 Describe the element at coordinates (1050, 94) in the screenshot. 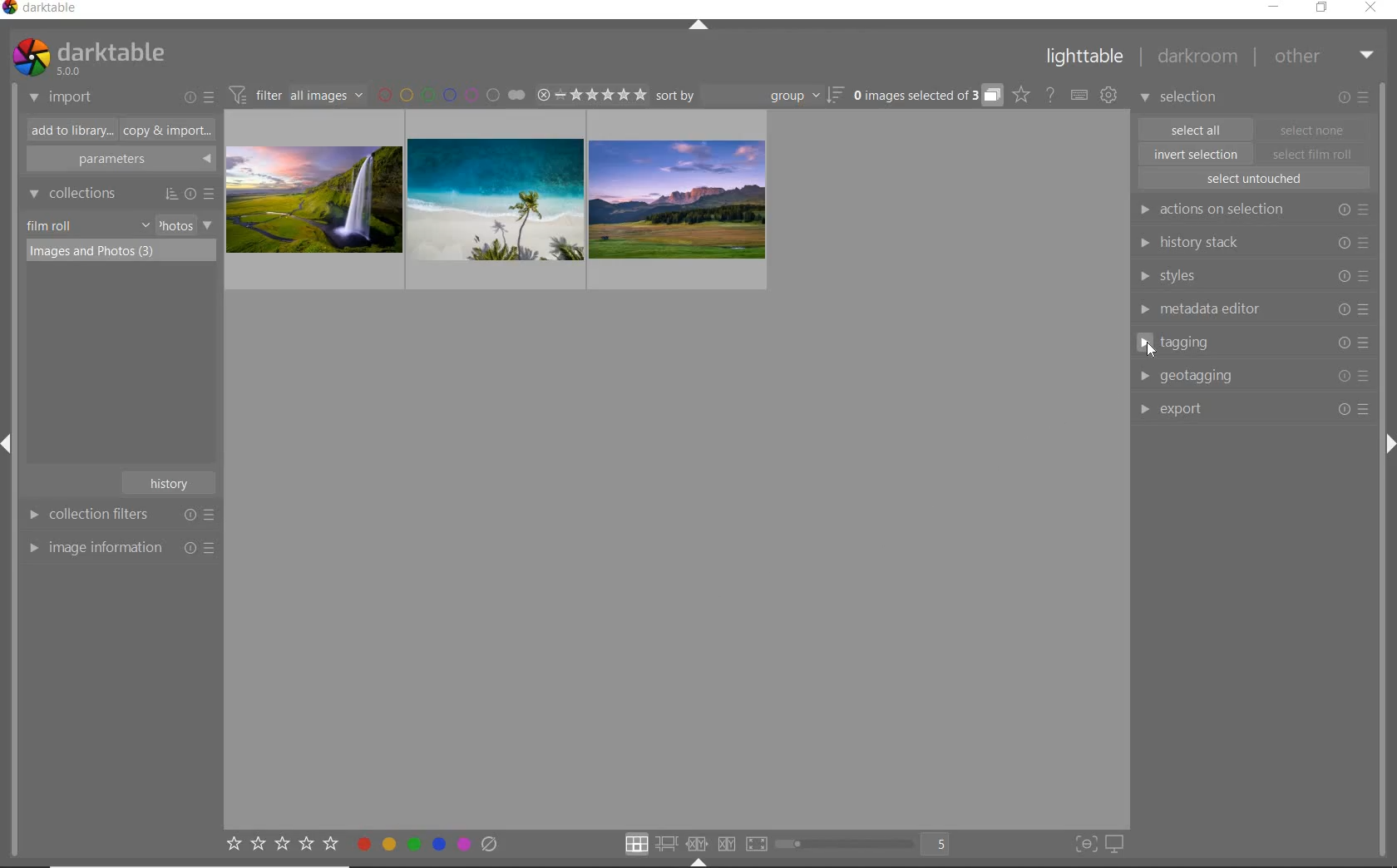

I see `help online` at that location.